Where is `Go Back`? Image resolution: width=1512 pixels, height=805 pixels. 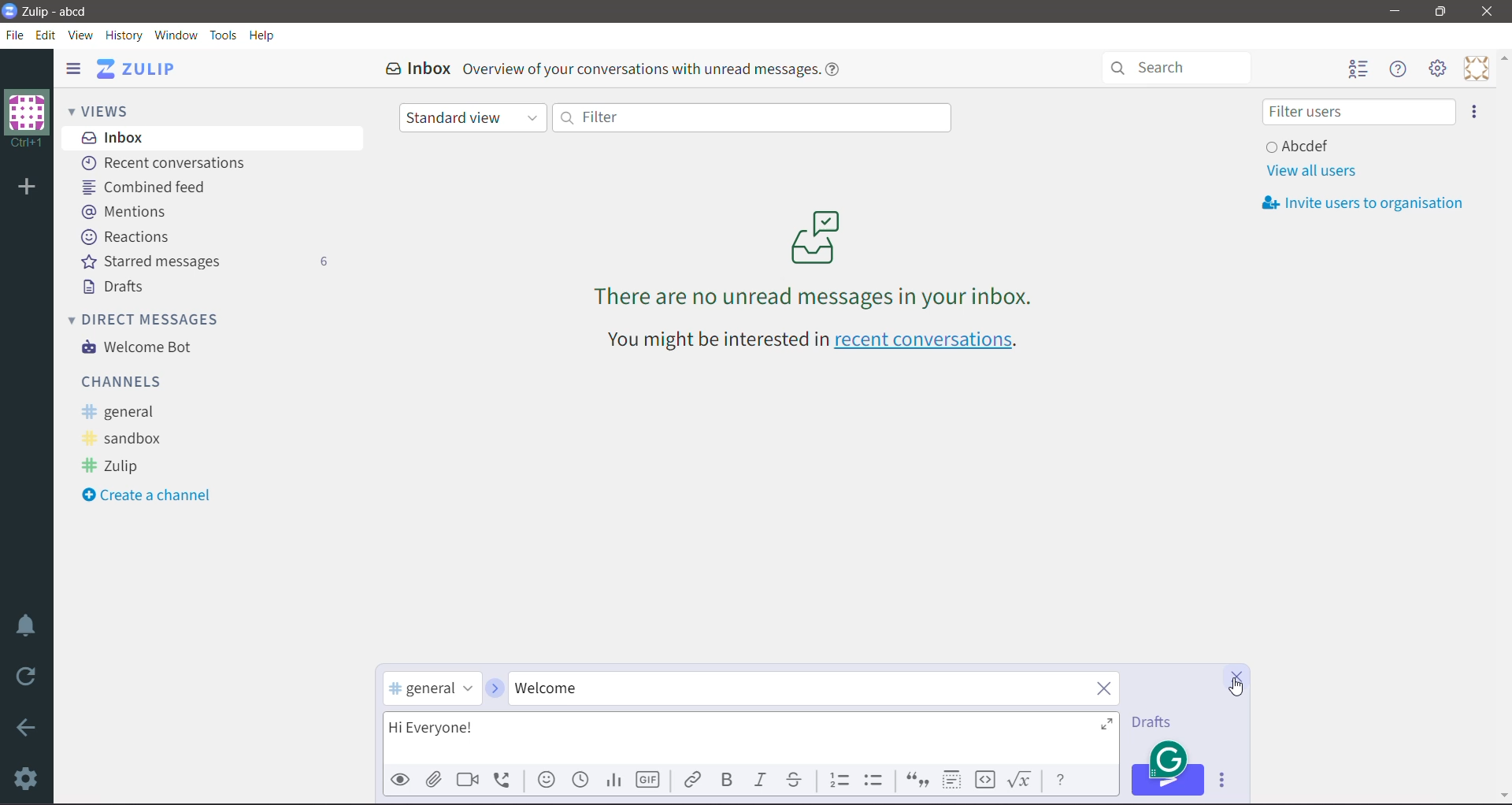 Go Back is located at coordinates (27, 727).